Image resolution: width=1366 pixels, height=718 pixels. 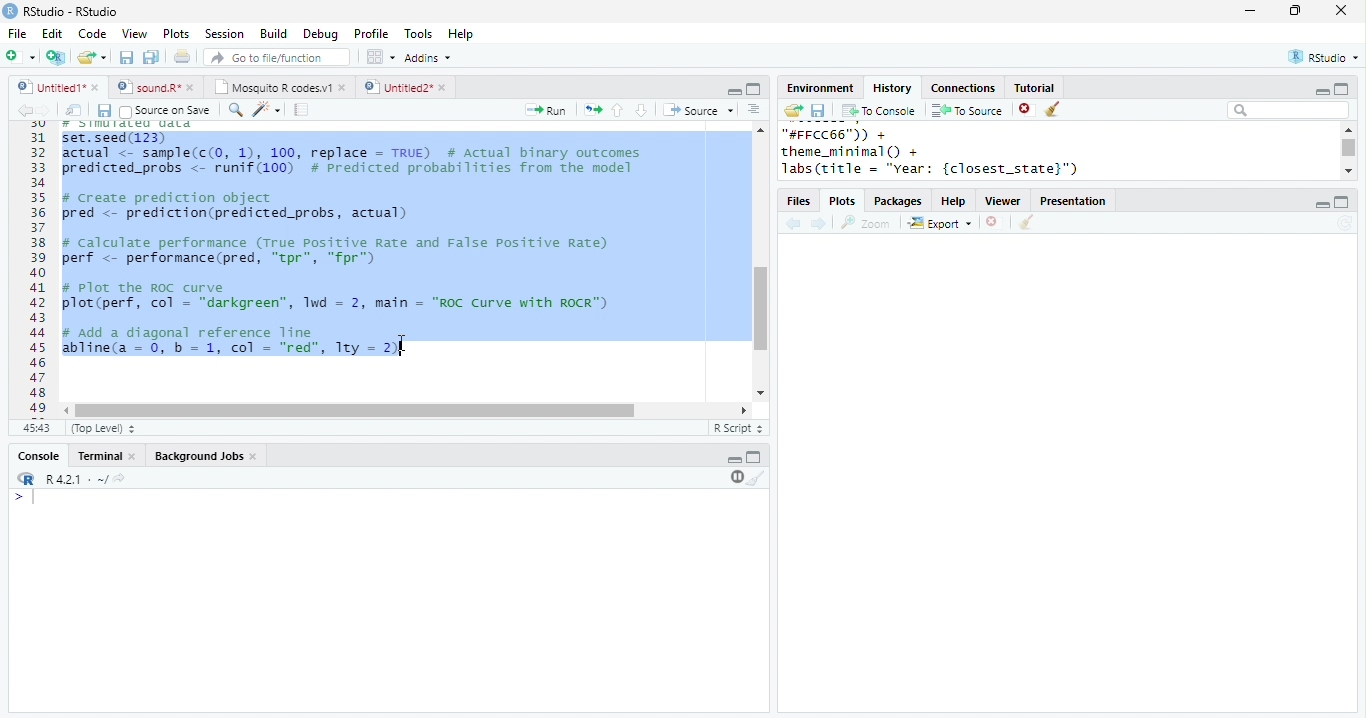 What do you see at coordinates (177, 33) in the screenshot?
I see `Plots` at bounding box center [177, 33].